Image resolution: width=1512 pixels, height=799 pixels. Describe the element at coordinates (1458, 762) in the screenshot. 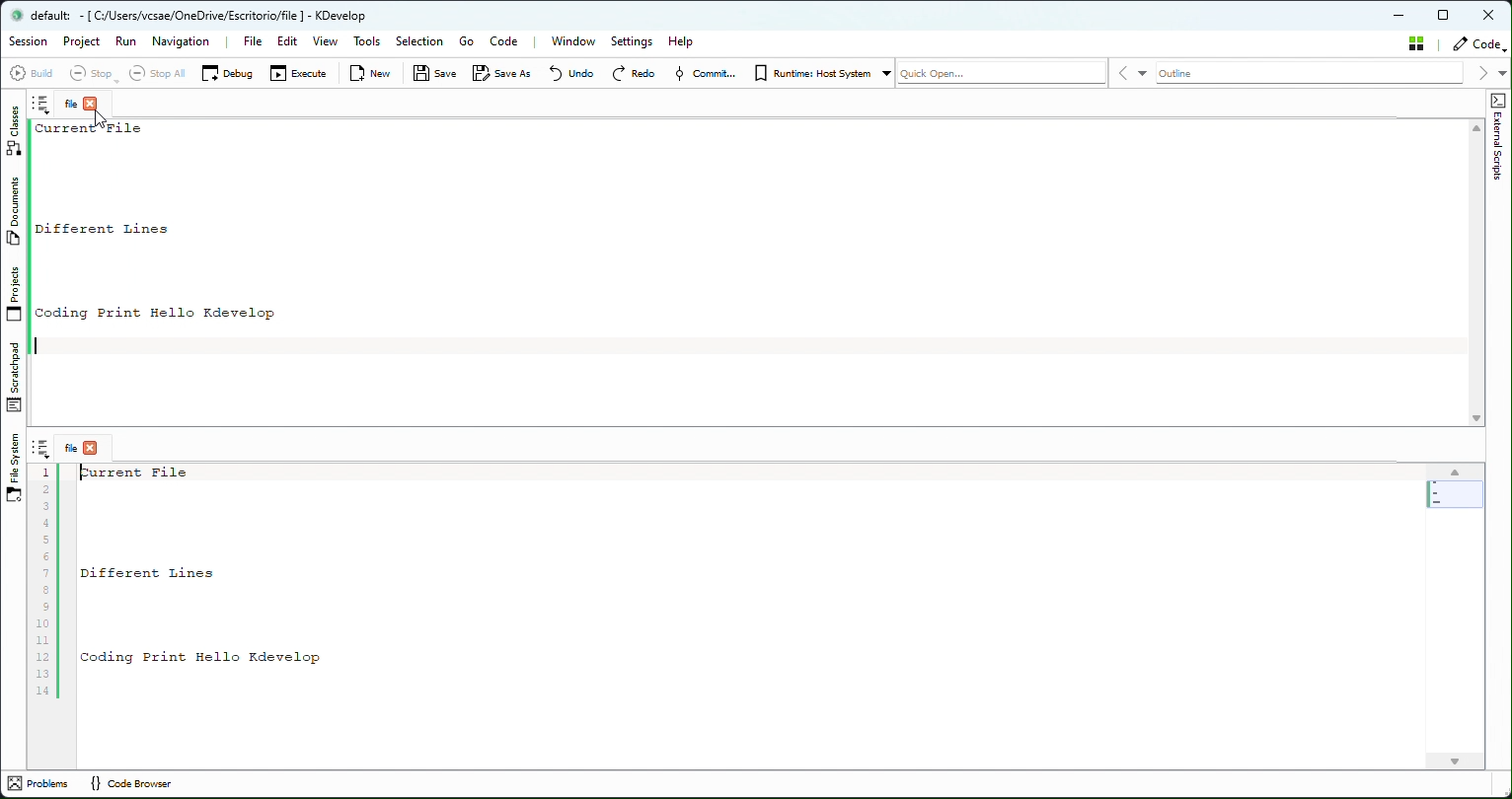

I see `Scroll down` at that location.